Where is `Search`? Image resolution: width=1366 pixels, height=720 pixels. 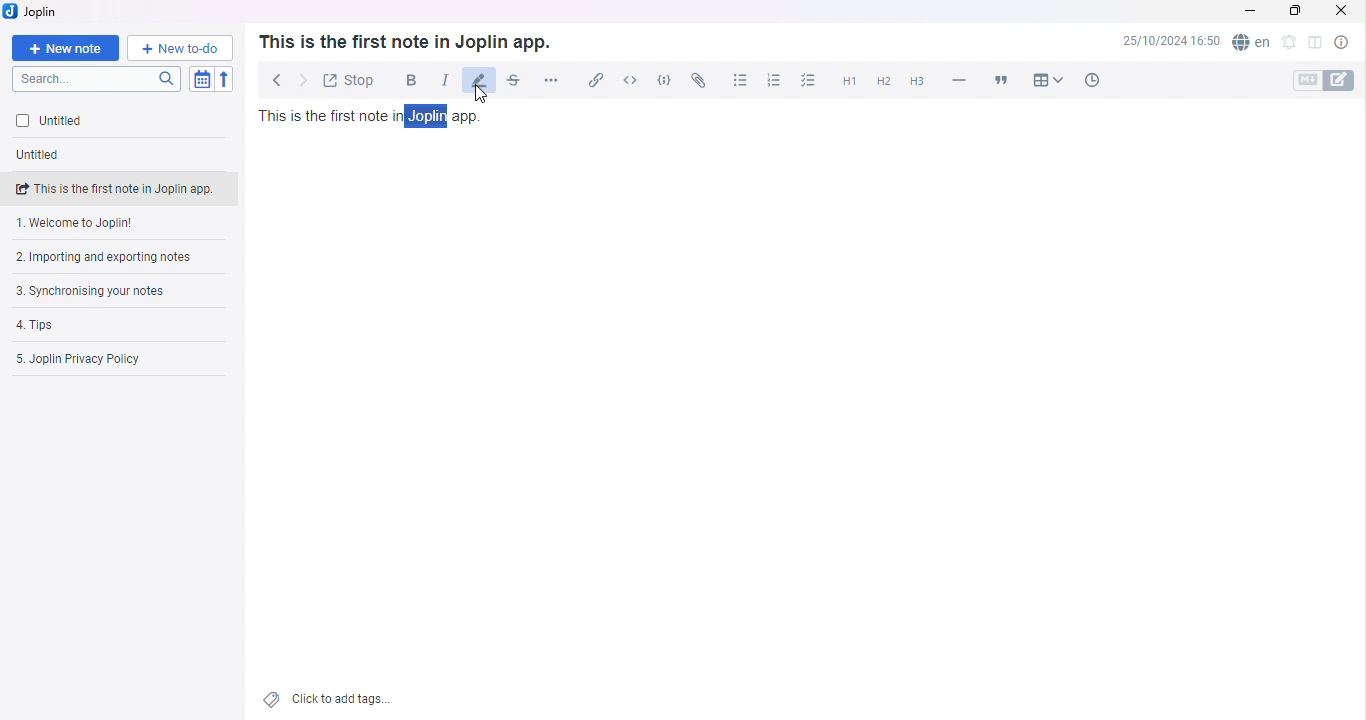
Search is located at coordinates (100, 79).